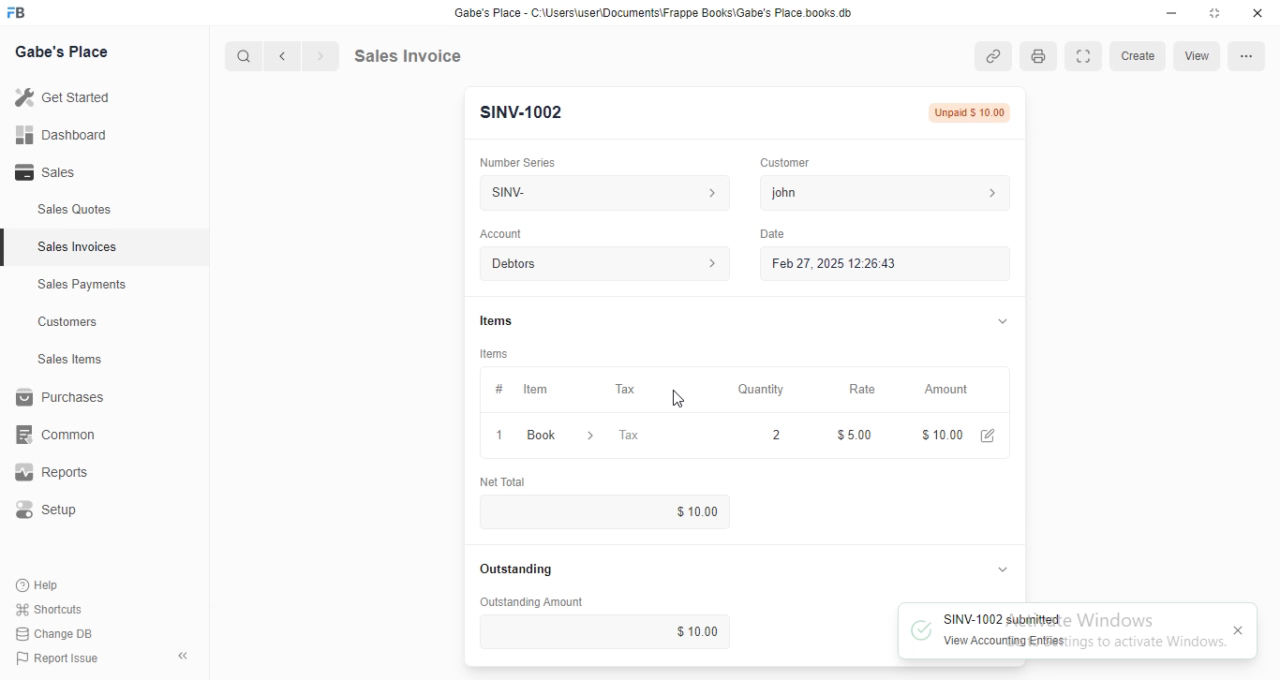 This screenshot has width=1280, height=680. Describe the element at coordinates (1010, 641) in the screenshot. I see `View accounting entries` at that location.